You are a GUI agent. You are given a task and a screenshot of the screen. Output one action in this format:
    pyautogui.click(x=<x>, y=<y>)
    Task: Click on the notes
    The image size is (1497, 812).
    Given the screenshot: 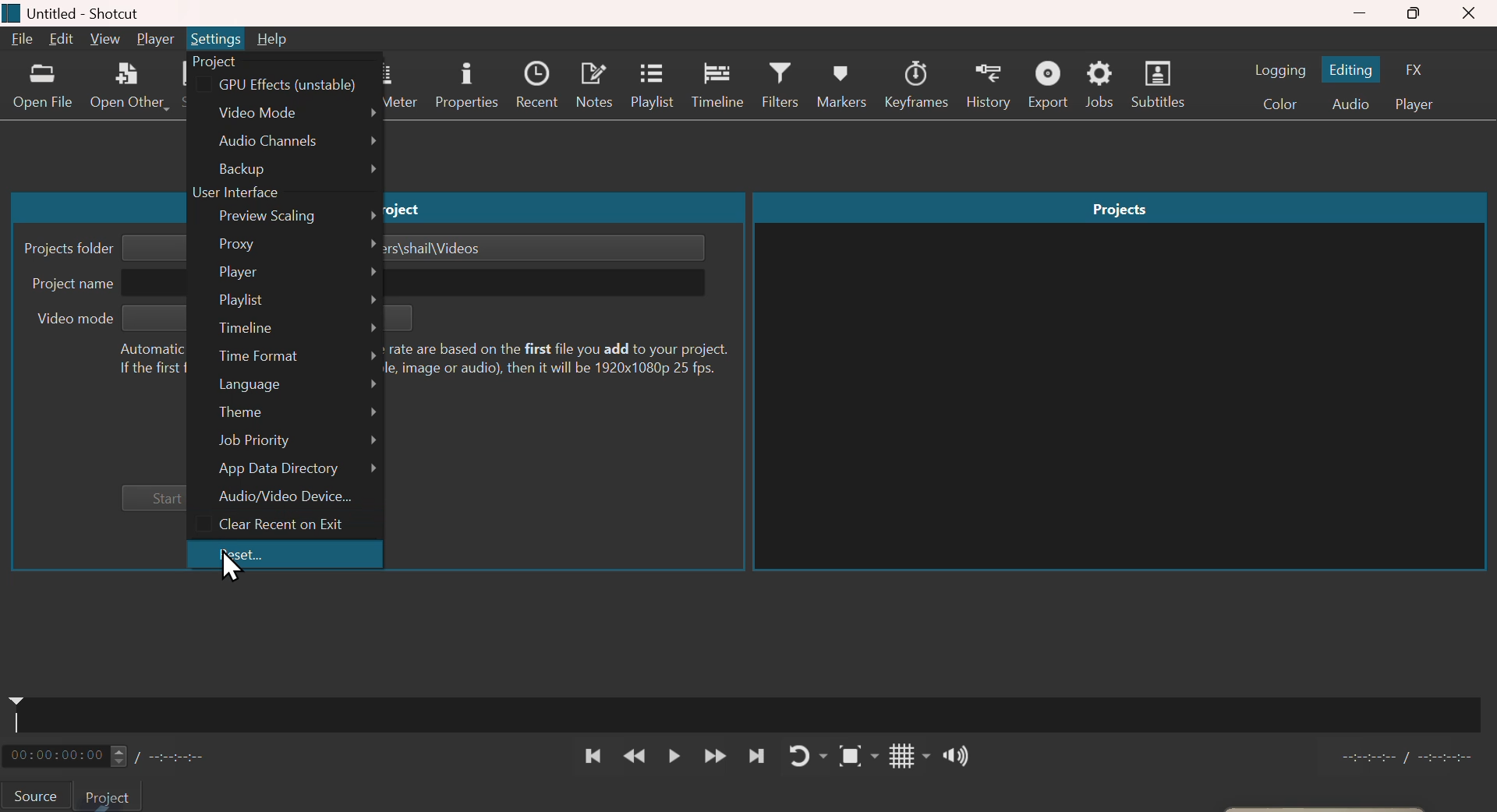 What is the action you would take?
    pyautogui.click(x=593, y=86)
    